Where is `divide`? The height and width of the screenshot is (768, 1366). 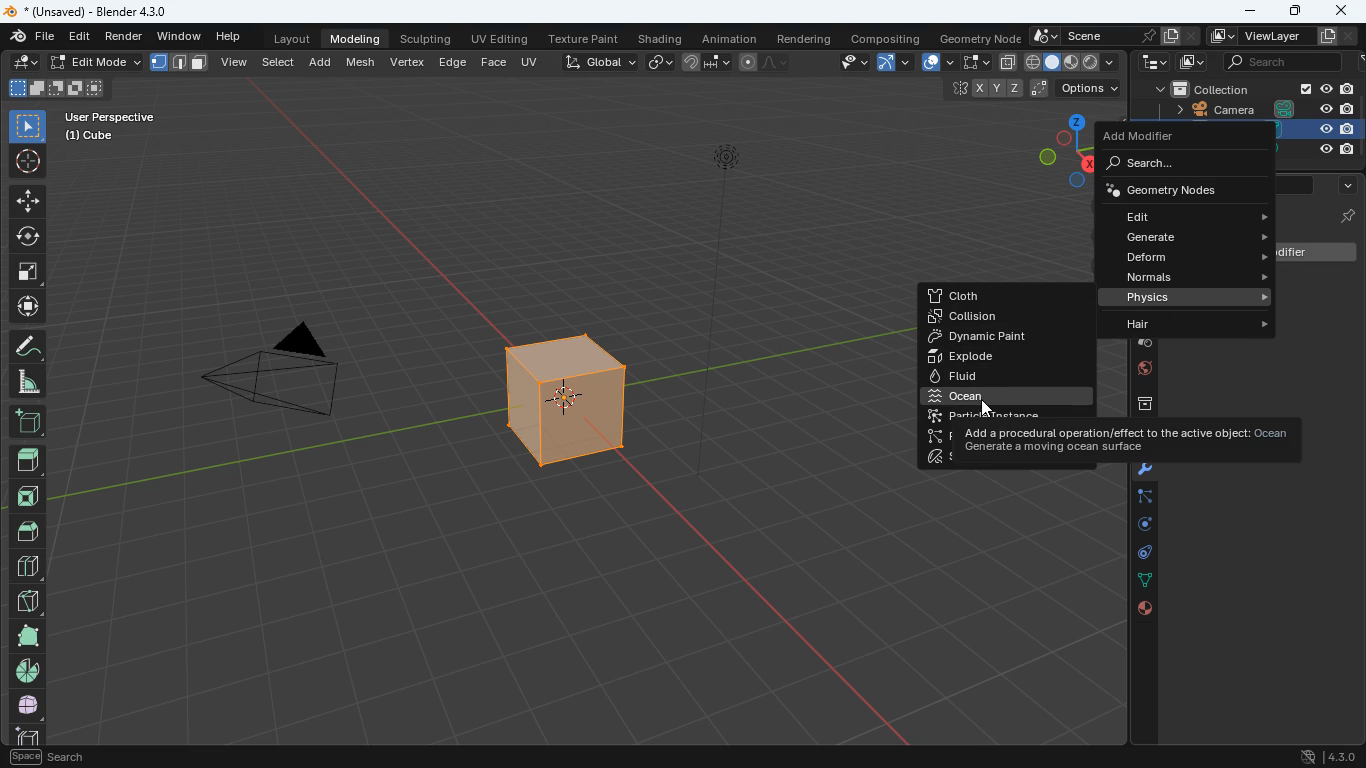
divide is located at coordinates (29, 565).